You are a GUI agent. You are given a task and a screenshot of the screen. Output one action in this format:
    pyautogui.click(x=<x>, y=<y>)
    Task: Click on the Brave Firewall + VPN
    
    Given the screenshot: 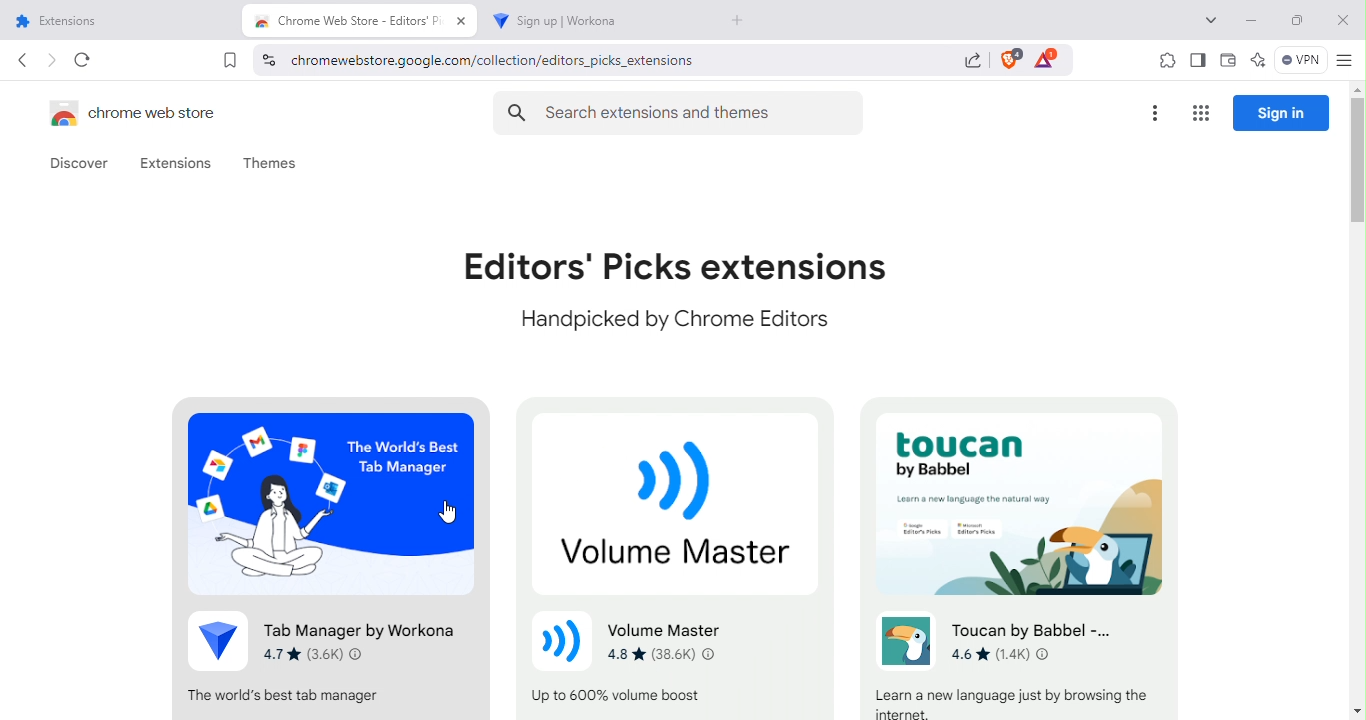 What is the action you would take?
    pyautogui.click(x=1300, y=61)
    